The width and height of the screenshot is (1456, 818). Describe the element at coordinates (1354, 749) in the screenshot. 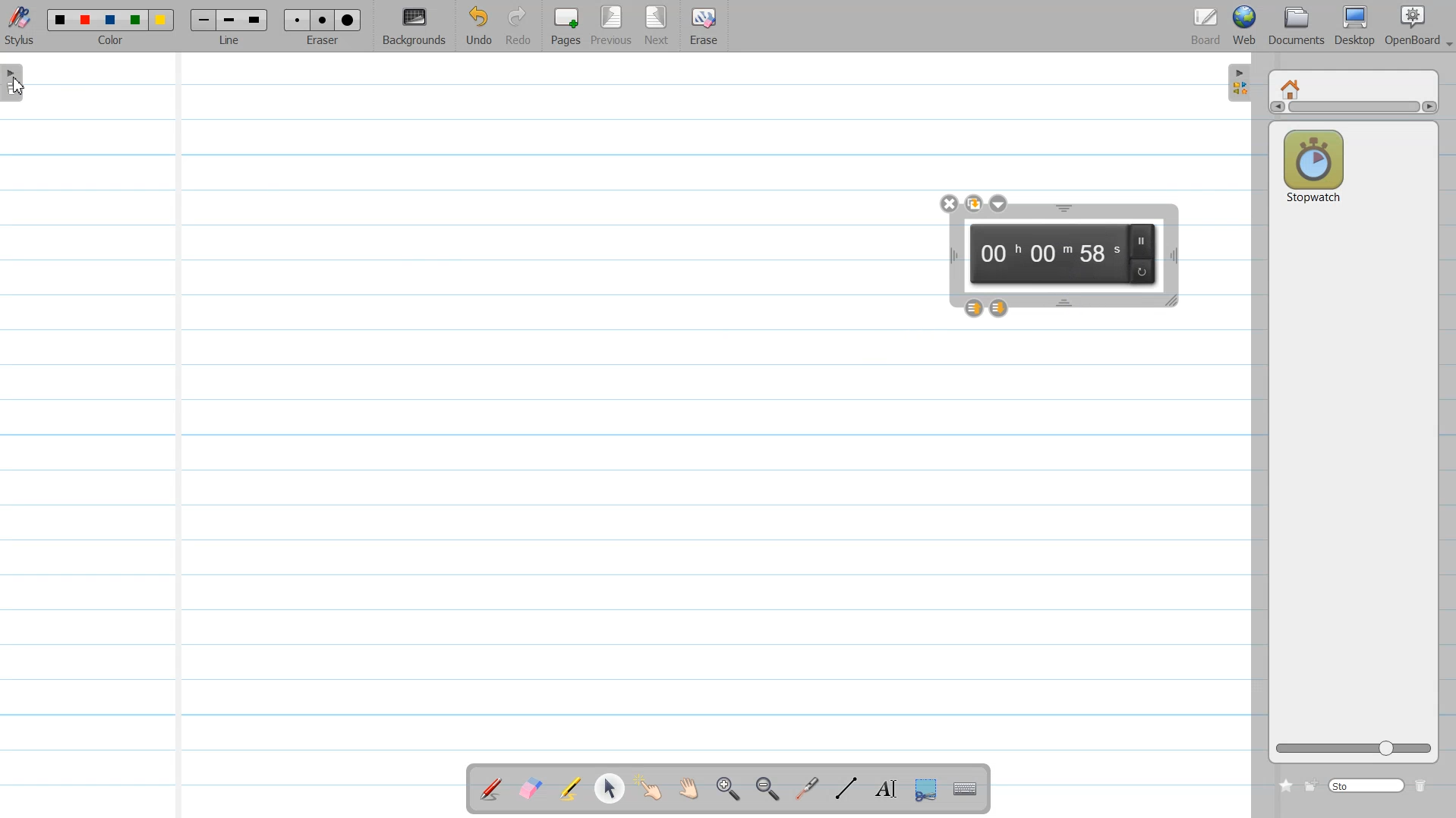

I see `Logo size adjuster` at that location.